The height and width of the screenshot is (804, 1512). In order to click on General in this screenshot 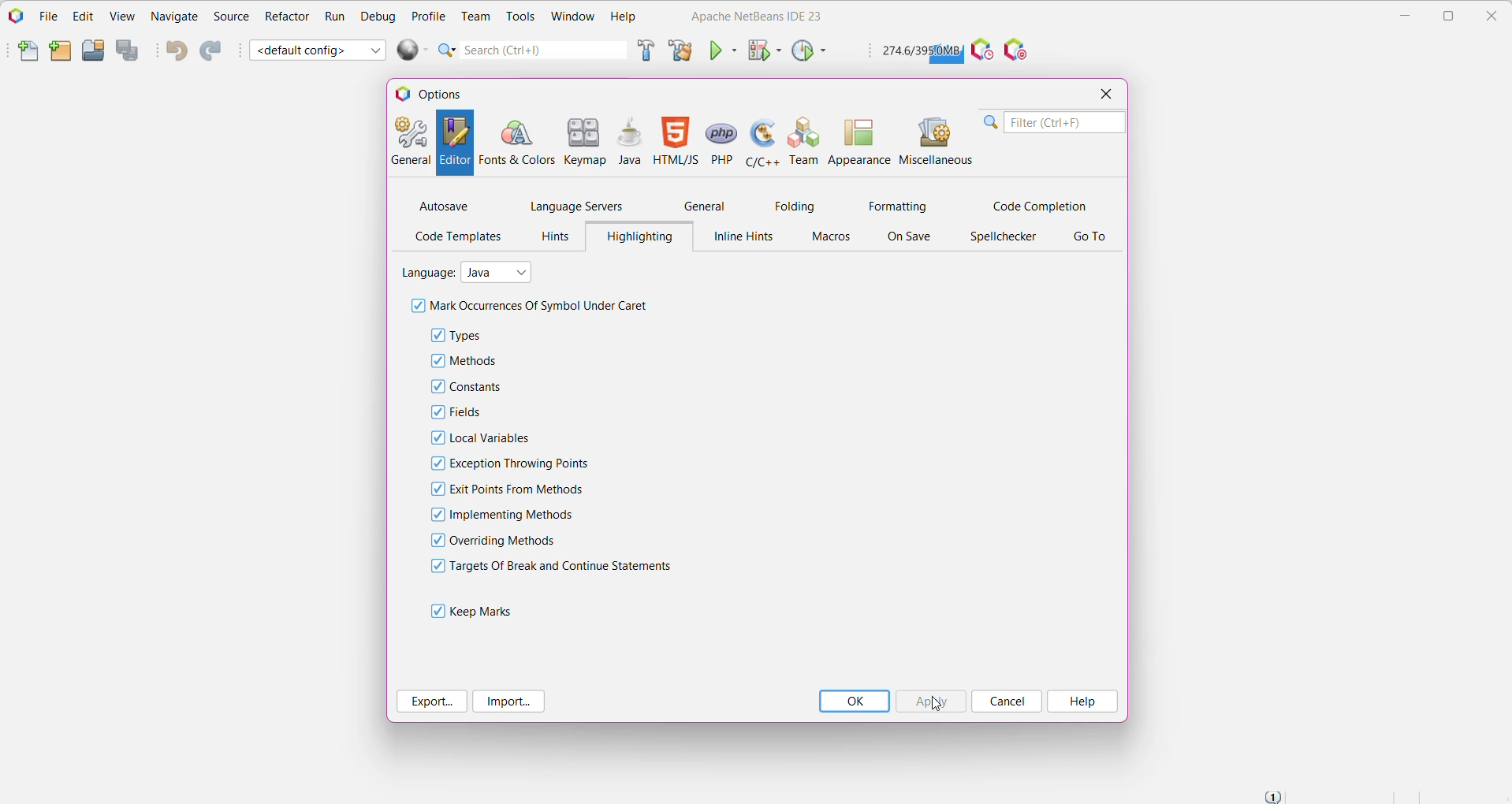, I will do `click(709, 204)`.